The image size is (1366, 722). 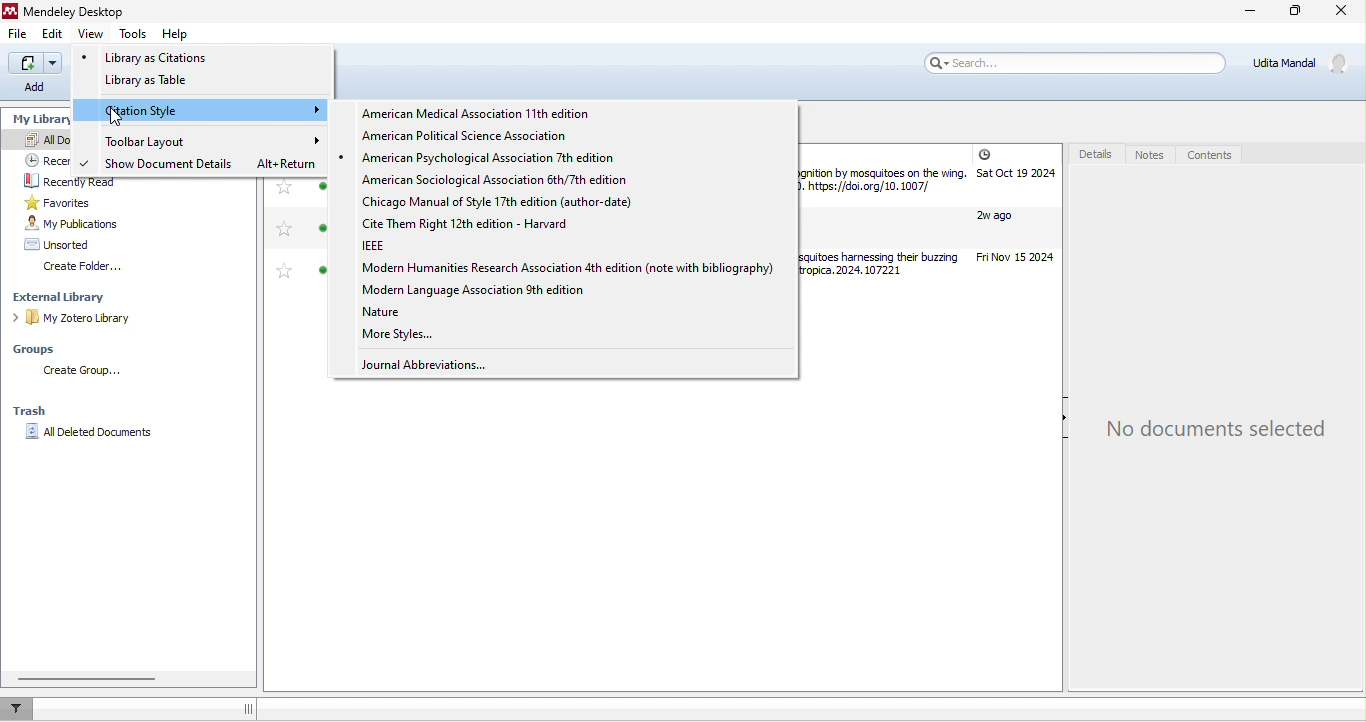 What do you see at coordinates (1303, 64) in the screenshot?
I see `Udita Mandal` at bounding box center [1303, 64].